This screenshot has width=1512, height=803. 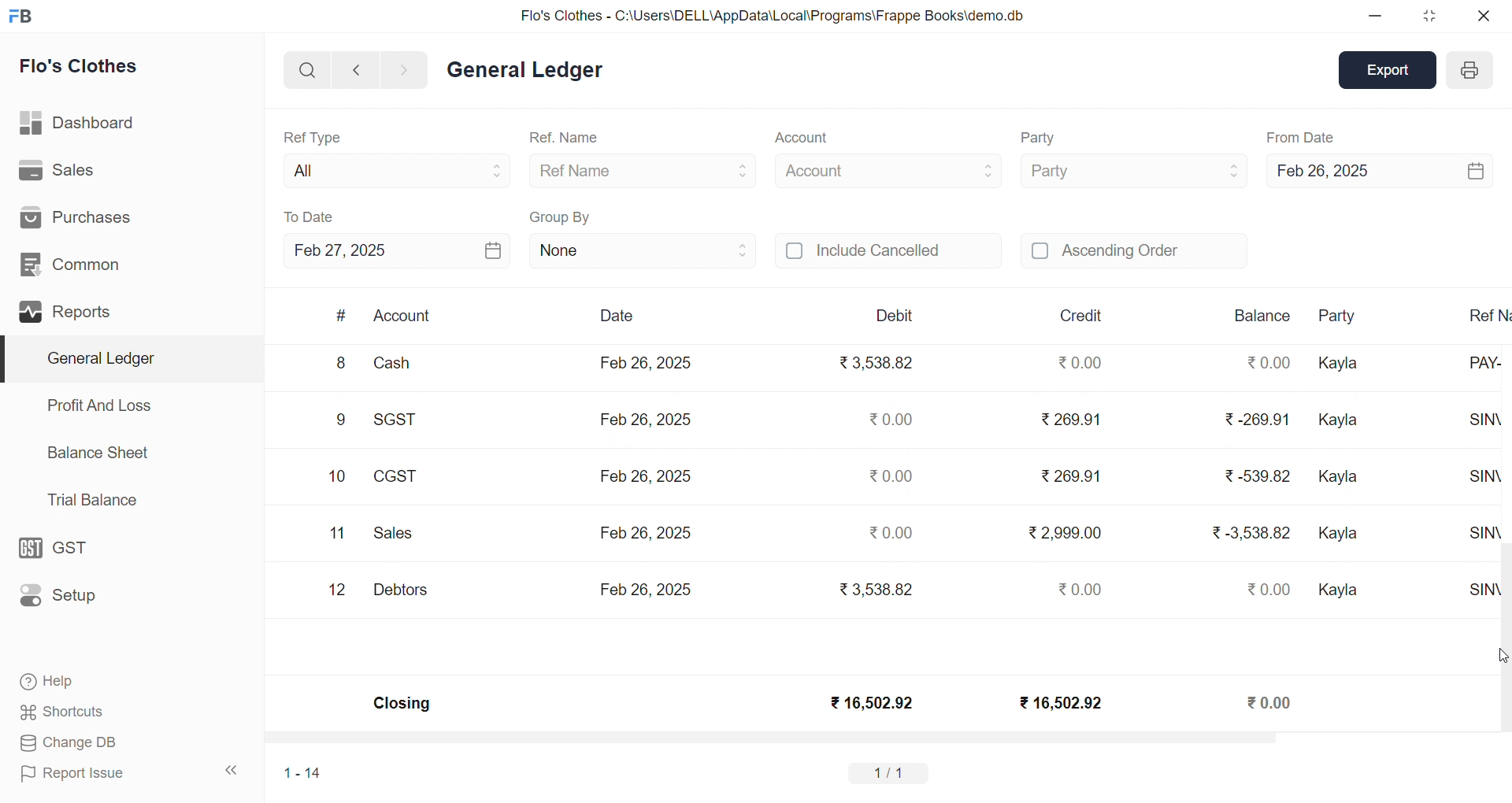 I want to click on Include Cancelled, so click(x=888, y=252).